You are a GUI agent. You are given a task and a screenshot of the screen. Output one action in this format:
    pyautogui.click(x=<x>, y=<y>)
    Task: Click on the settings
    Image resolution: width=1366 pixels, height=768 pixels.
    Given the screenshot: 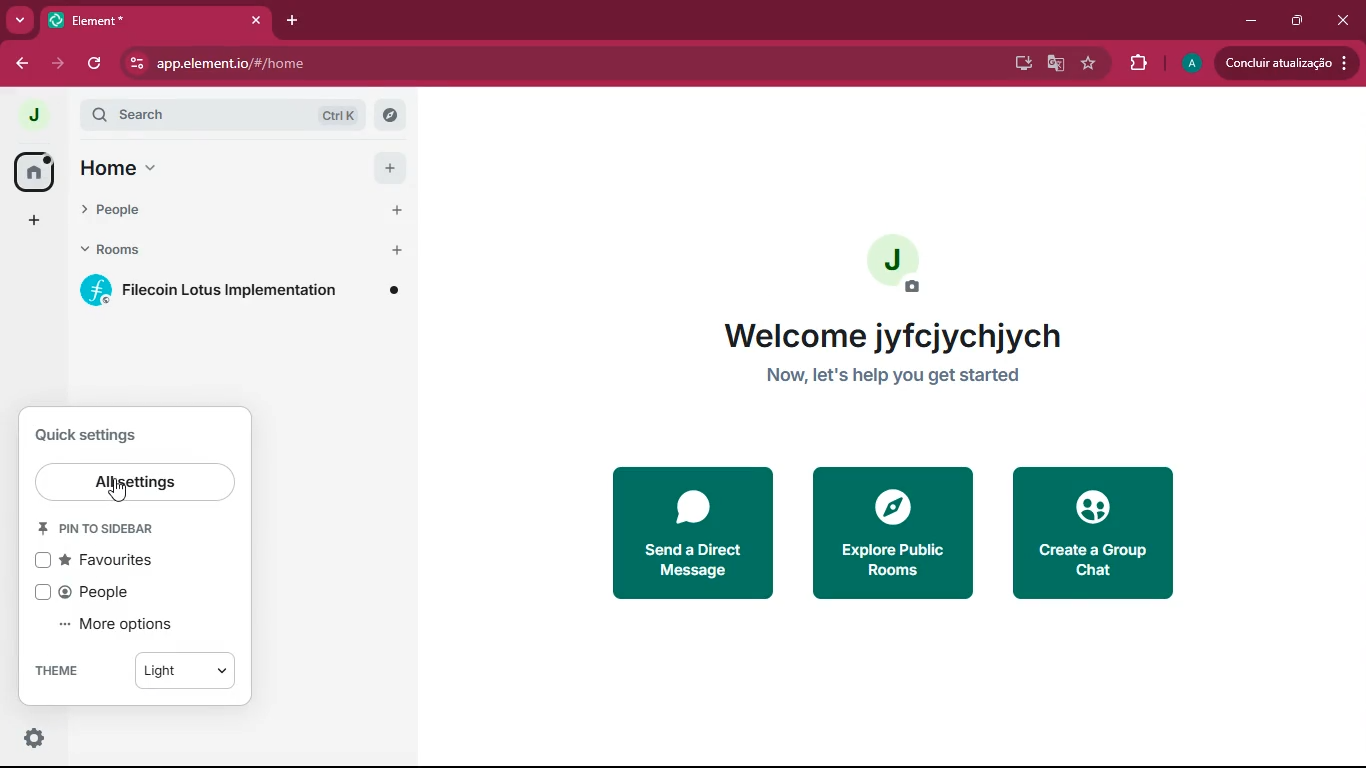 What is the action you would take?
    pyautogui.click(x=94, y=436)
    